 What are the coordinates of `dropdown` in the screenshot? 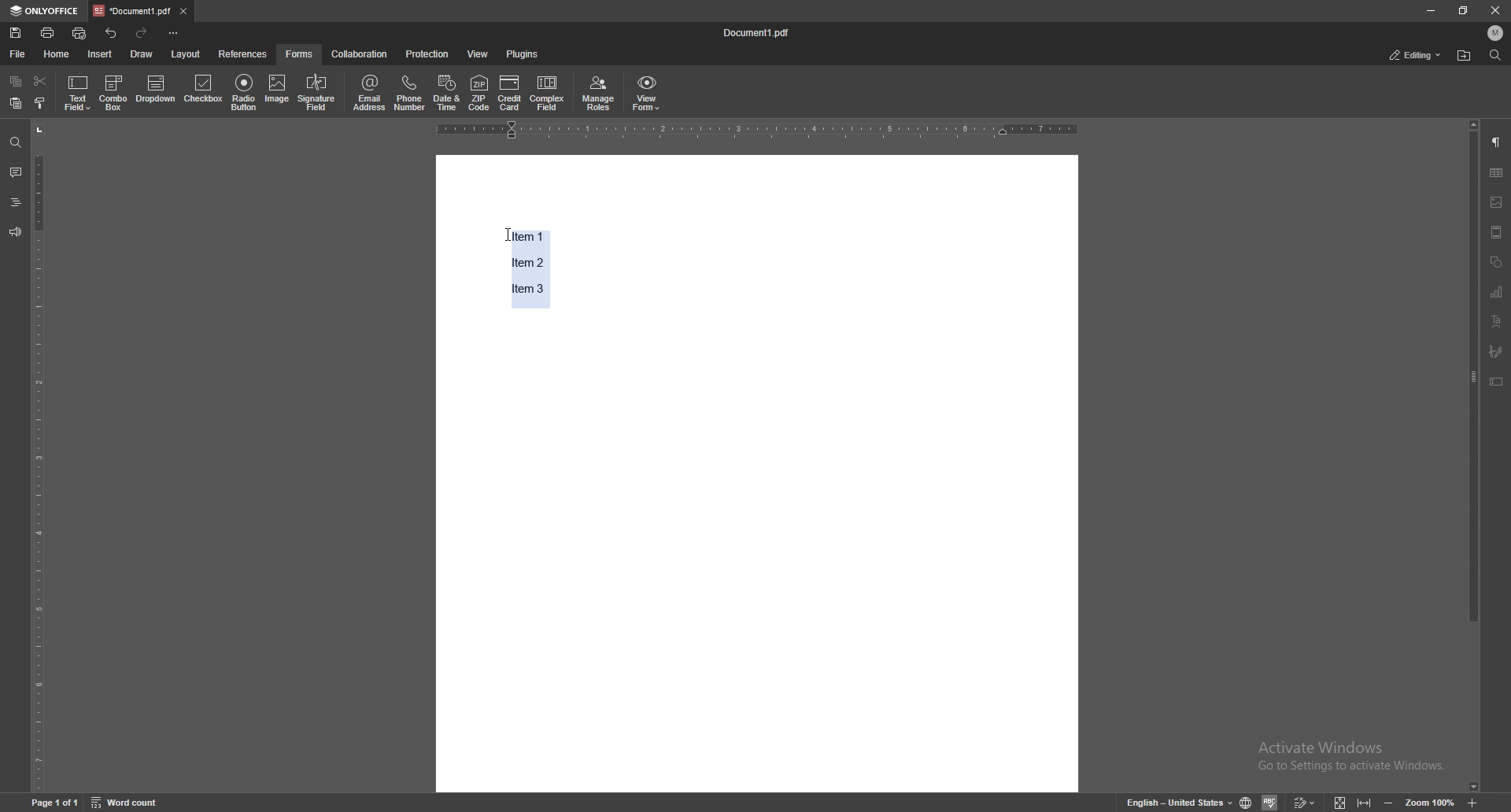 It's located at (156, 90).